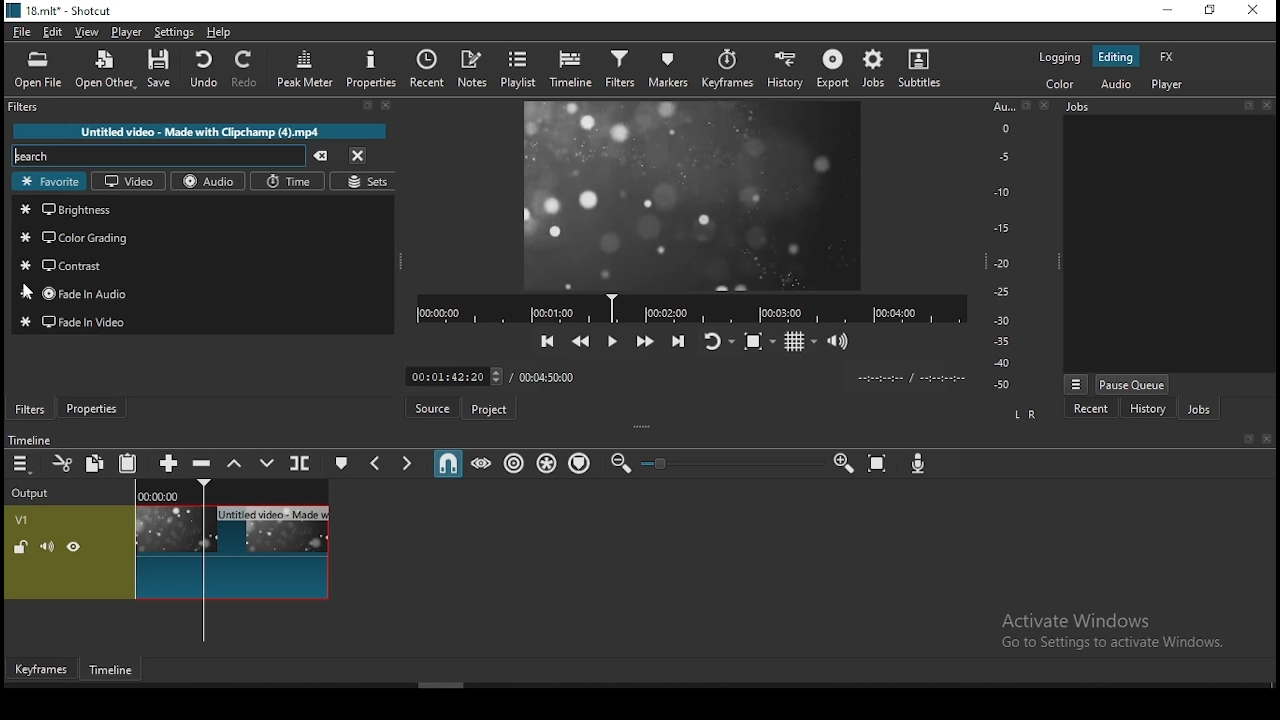 The image size is (1280, 720). What do you see at coordinates (113, 671) in the screenshot?
I see `timeline` at bounding box center [113, 671].